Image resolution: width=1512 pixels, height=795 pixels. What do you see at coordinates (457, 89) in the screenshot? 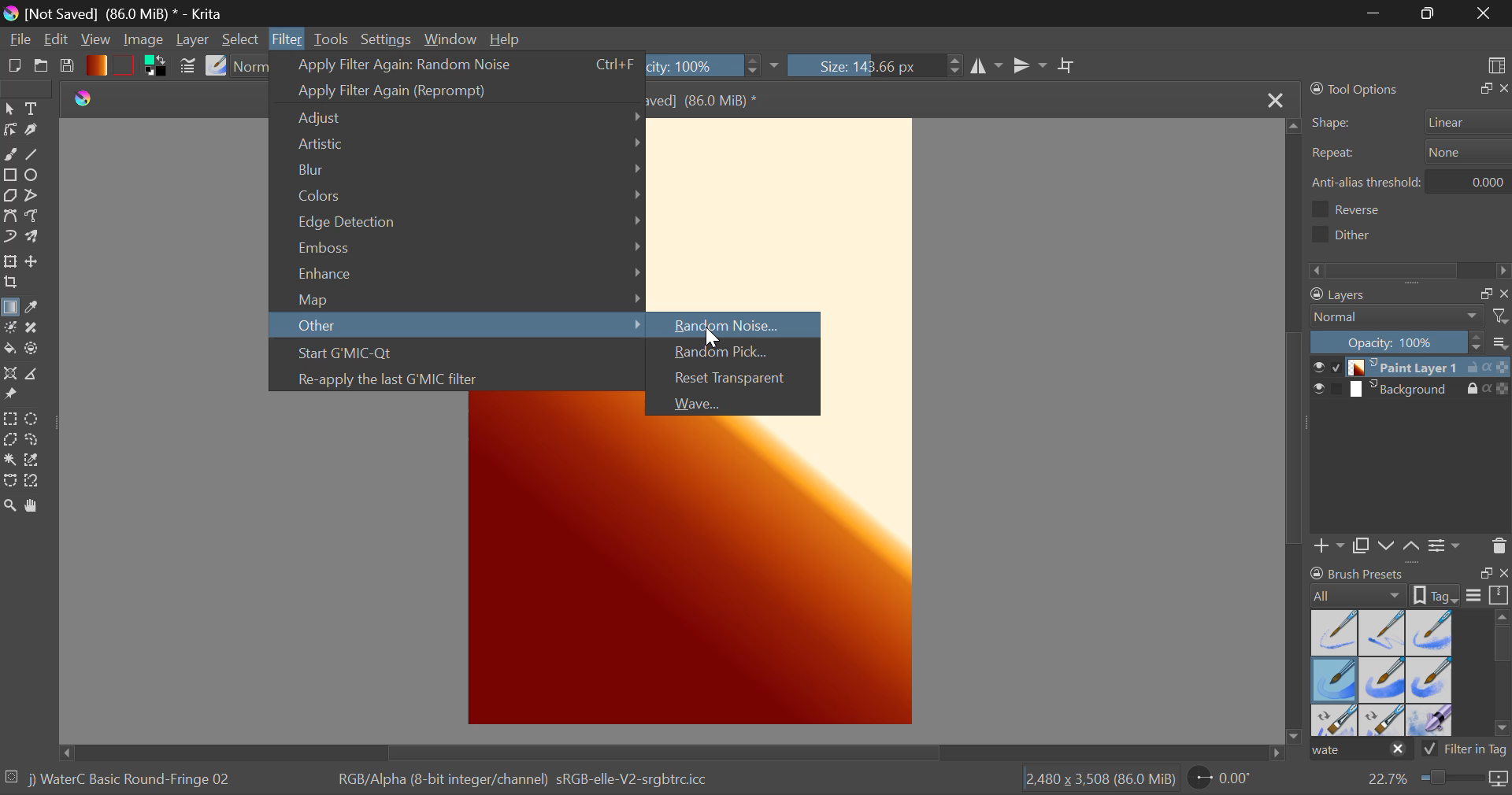
I see `Apply Filter Again - Reprompted` at bounding box center [457, 89].